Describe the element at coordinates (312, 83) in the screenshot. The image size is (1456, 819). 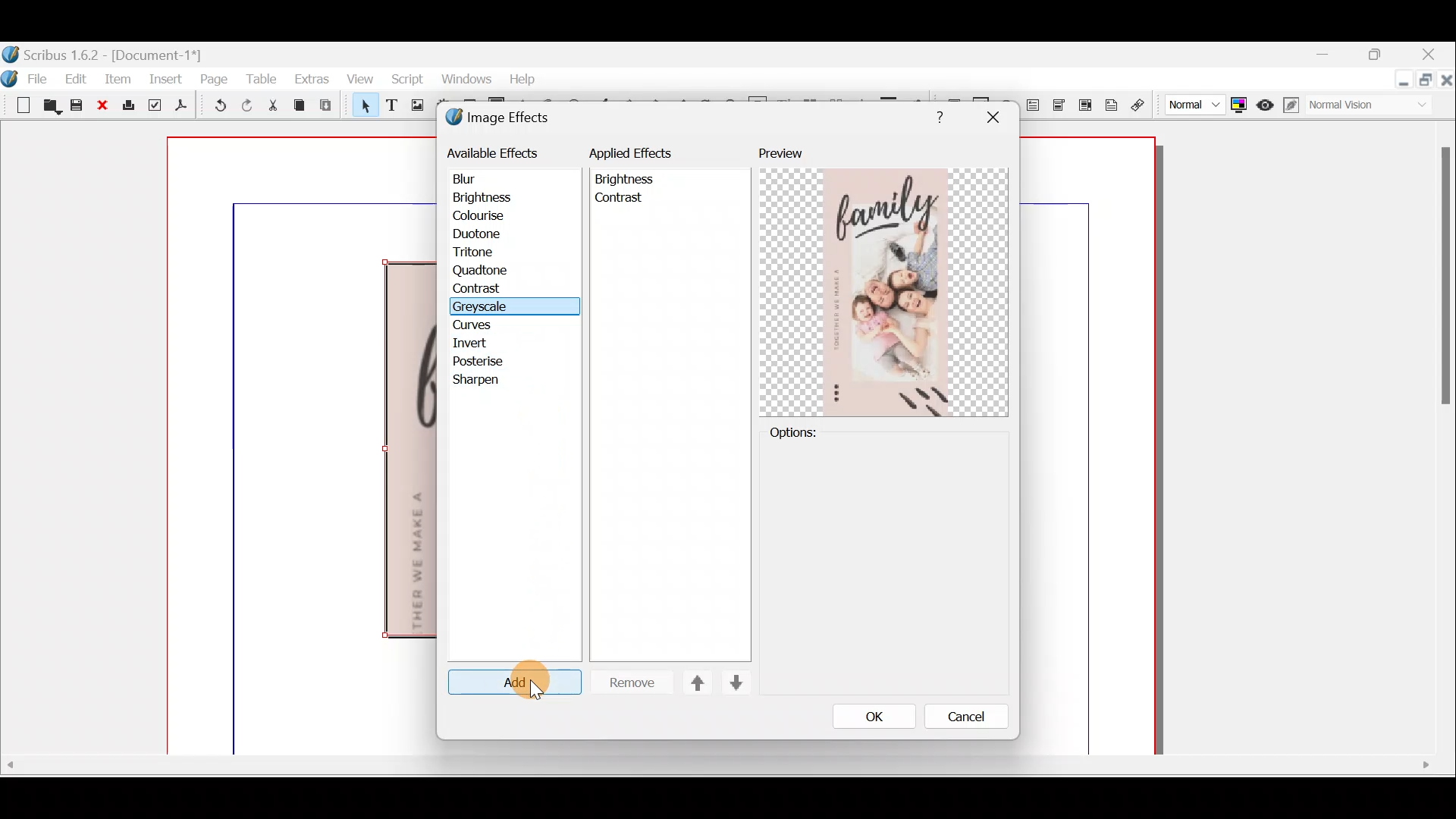
I see `Extras` at that location.